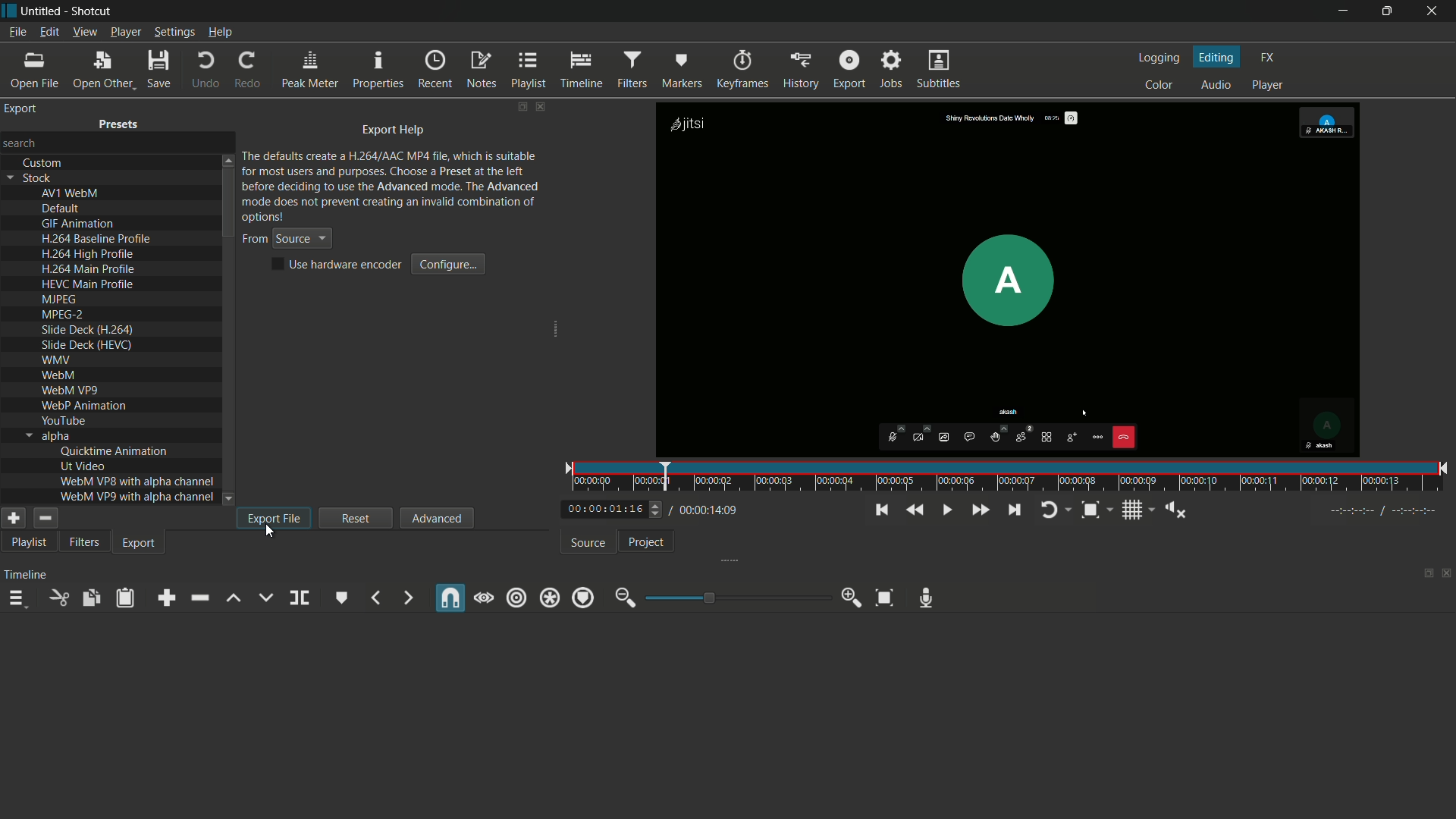 Image resolution: width=1456 pixels, height=819 pixels. What do you see at coordinates (1216, 58) in the screenshot?
I see `editing` at bounding box center [1216, 58].